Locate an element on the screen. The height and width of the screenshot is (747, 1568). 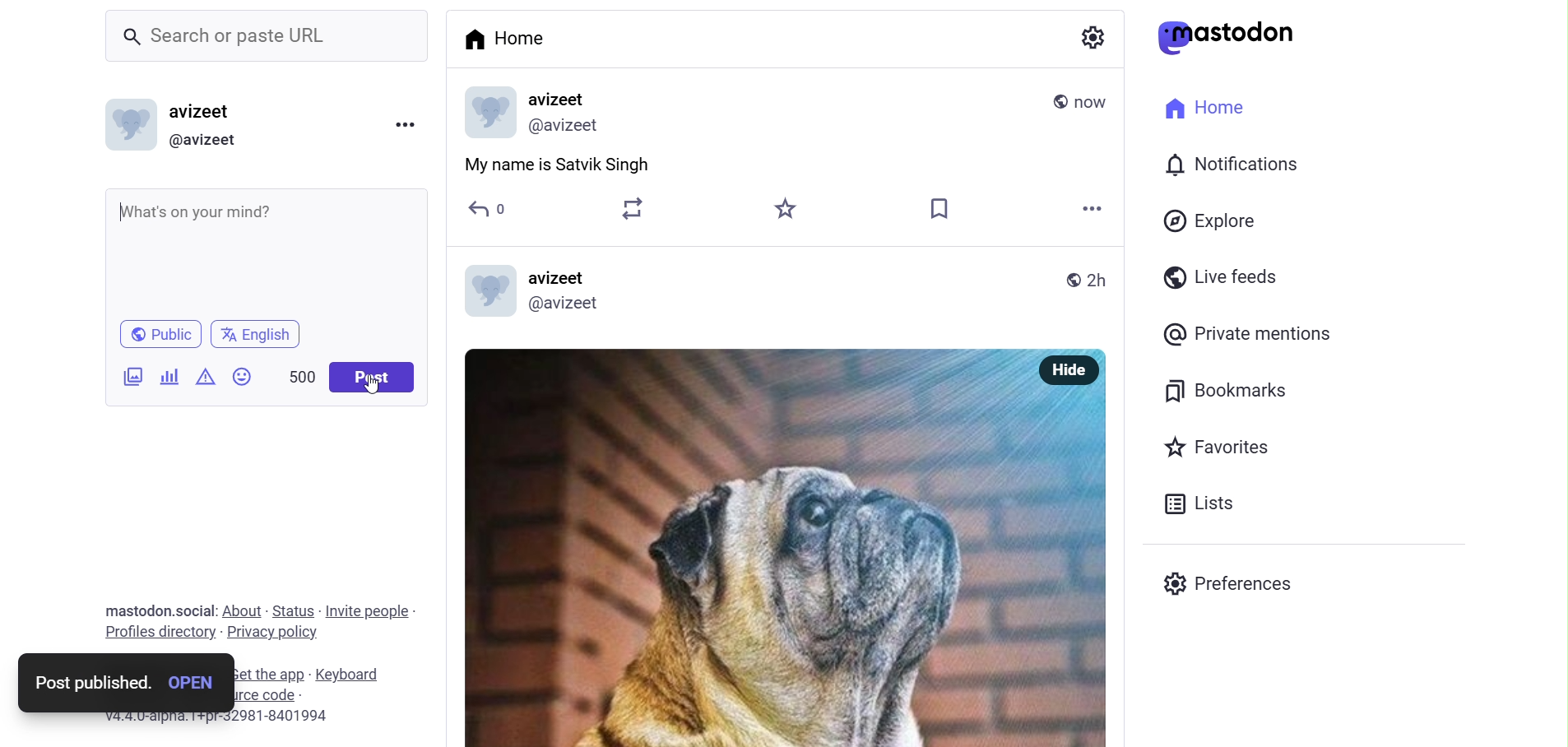
@avizeet is located at coordinates (207, 141).